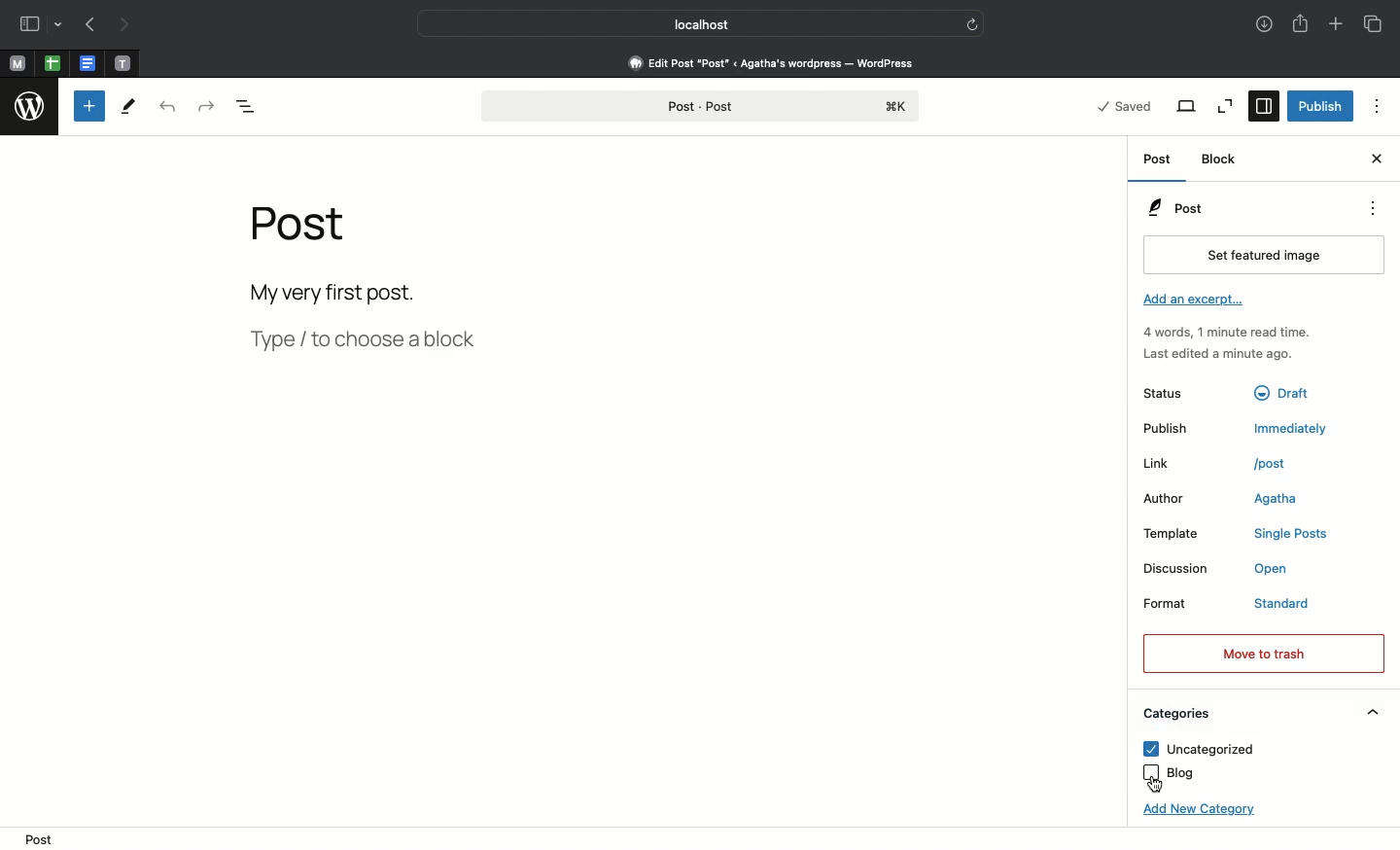  Describe the element at coordinates (1173, 500) in the screenshot. I see `Author` at that location.